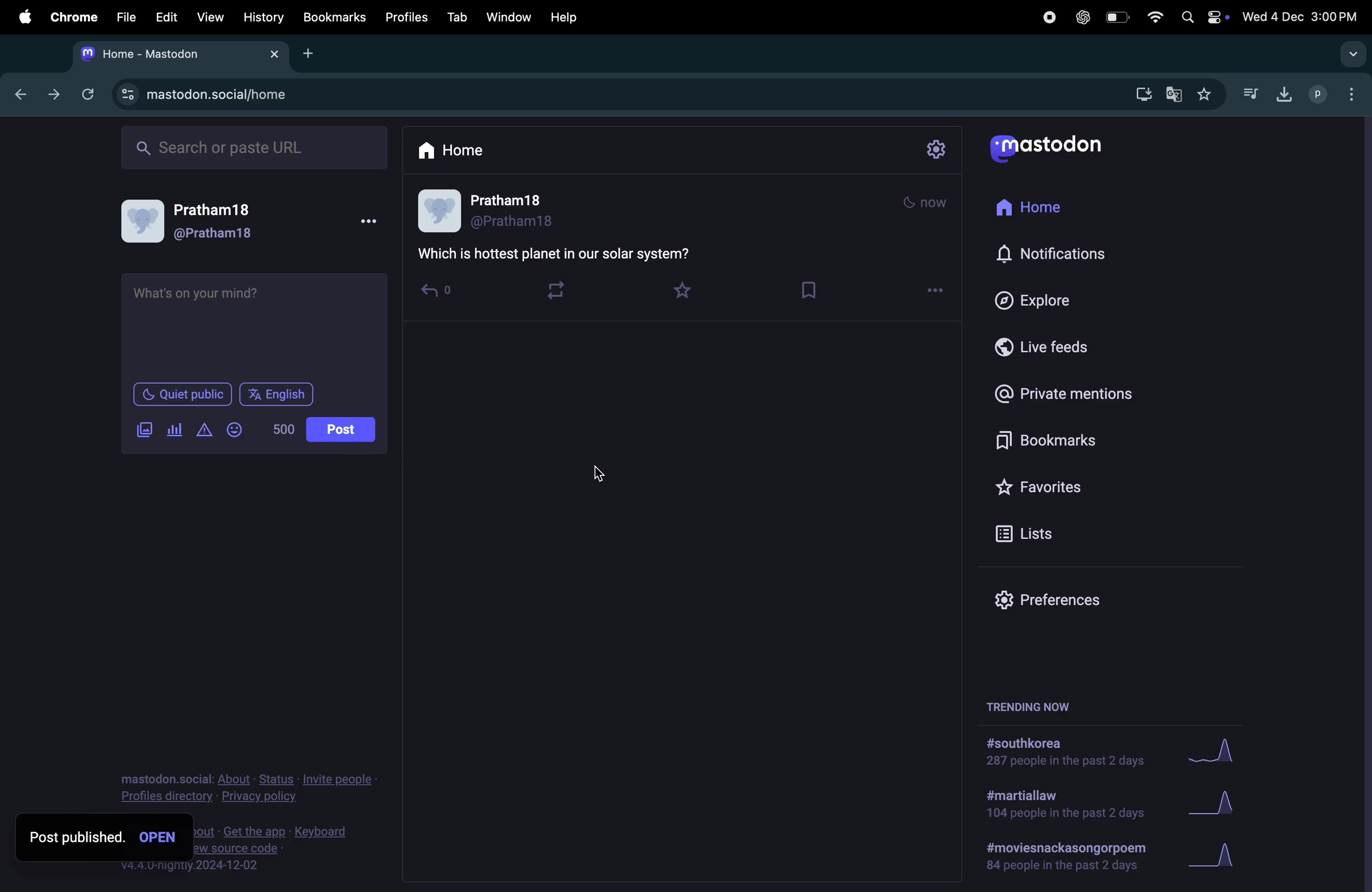 This screenshot has height=892, width=1372. Describe the element at coordinates (405, 17) in the screenshot. I see `profiles` at that location.